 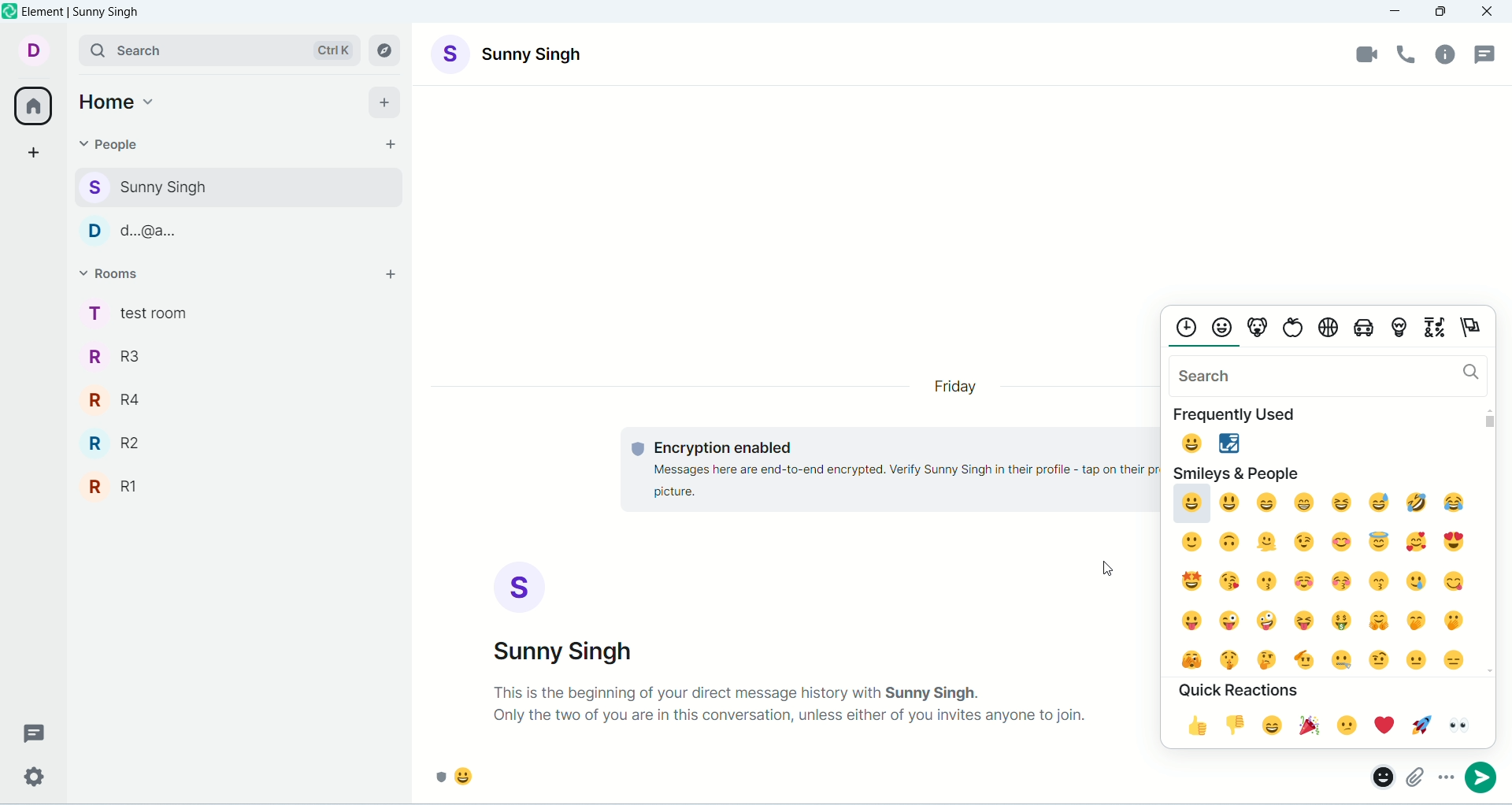 What do you see at coordinates (239, 394) in the screenshot?
I see `R4` at bounding box center [239, 394].